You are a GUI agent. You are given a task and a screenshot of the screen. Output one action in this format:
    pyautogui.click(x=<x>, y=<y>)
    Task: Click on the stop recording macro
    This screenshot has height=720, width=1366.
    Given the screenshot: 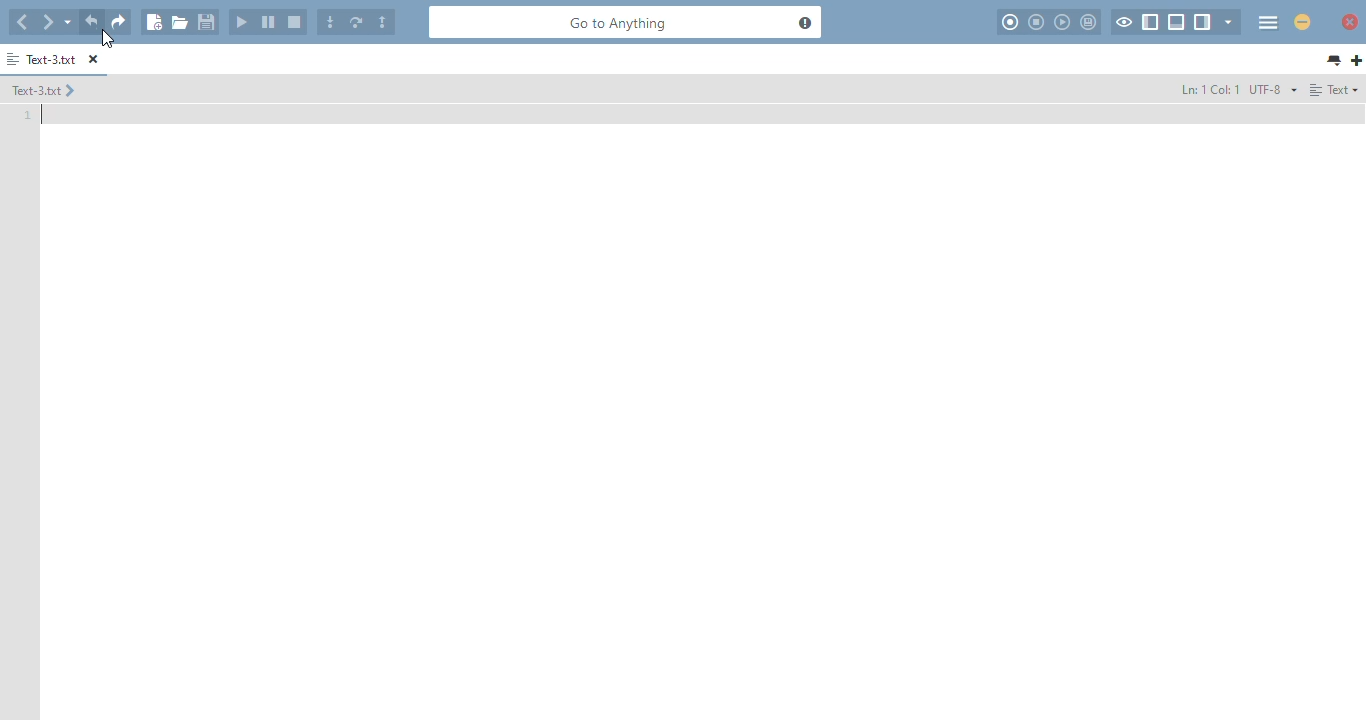 What is the action you would take?
    pyautogui.click(x=1036, y=22)
    